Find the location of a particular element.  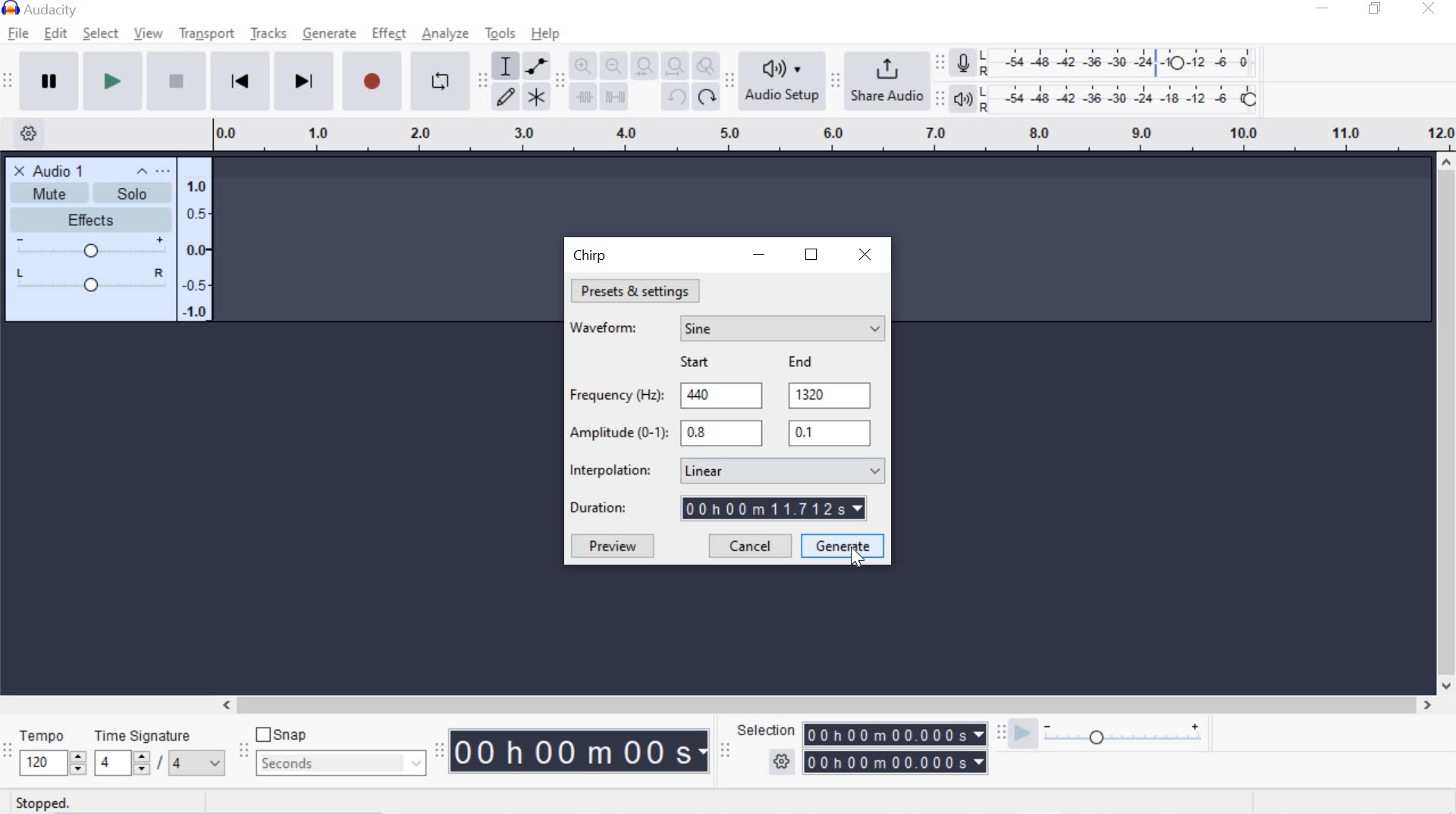

Multi-tool is located at coordinates (535, 96).